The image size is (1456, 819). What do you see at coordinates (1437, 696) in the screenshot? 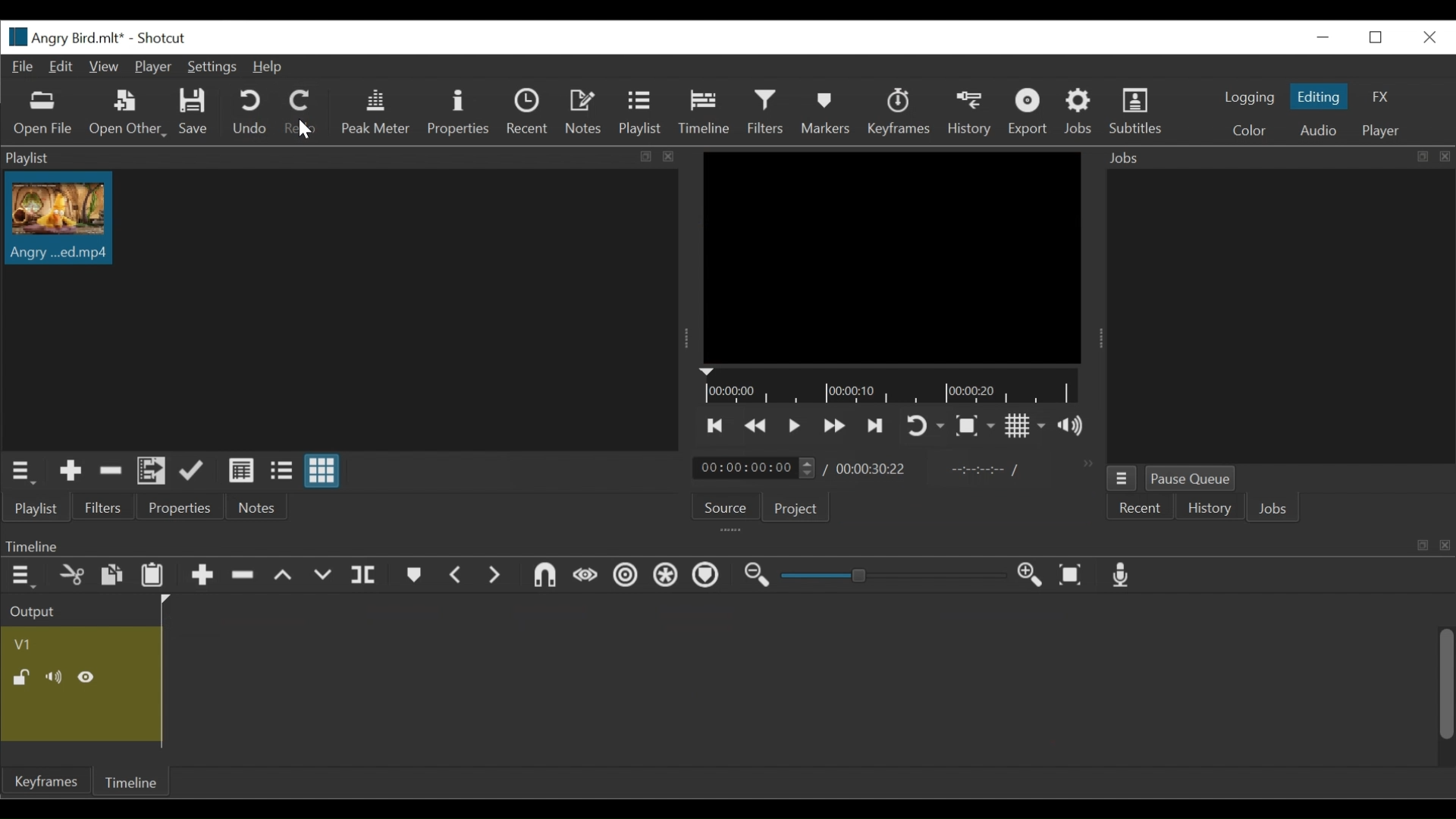
I see `vertical scroll bar` at bounding box center [1437, 696].